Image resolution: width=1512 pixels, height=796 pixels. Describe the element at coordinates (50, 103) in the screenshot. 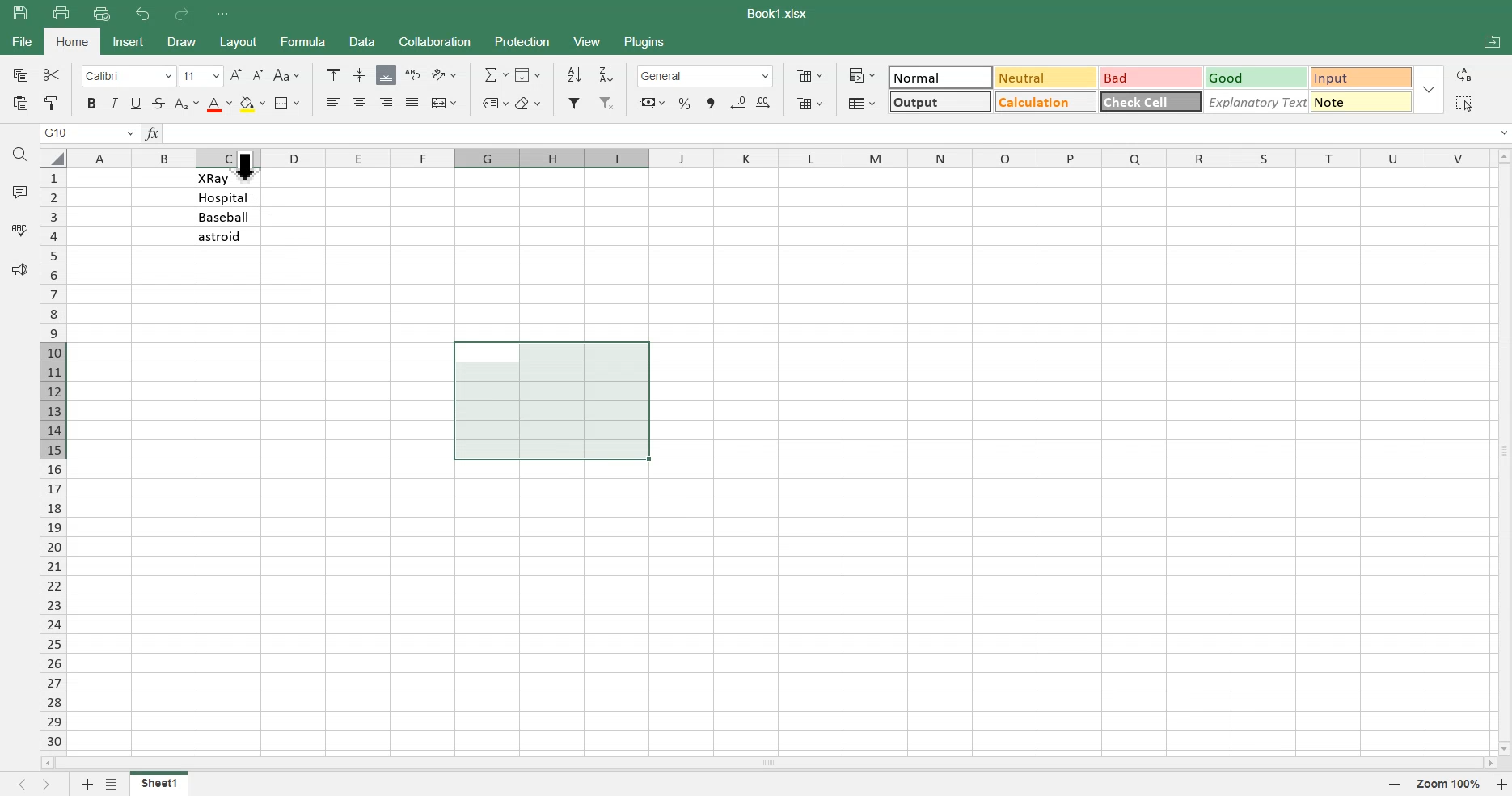

I see `Paint` at that location.